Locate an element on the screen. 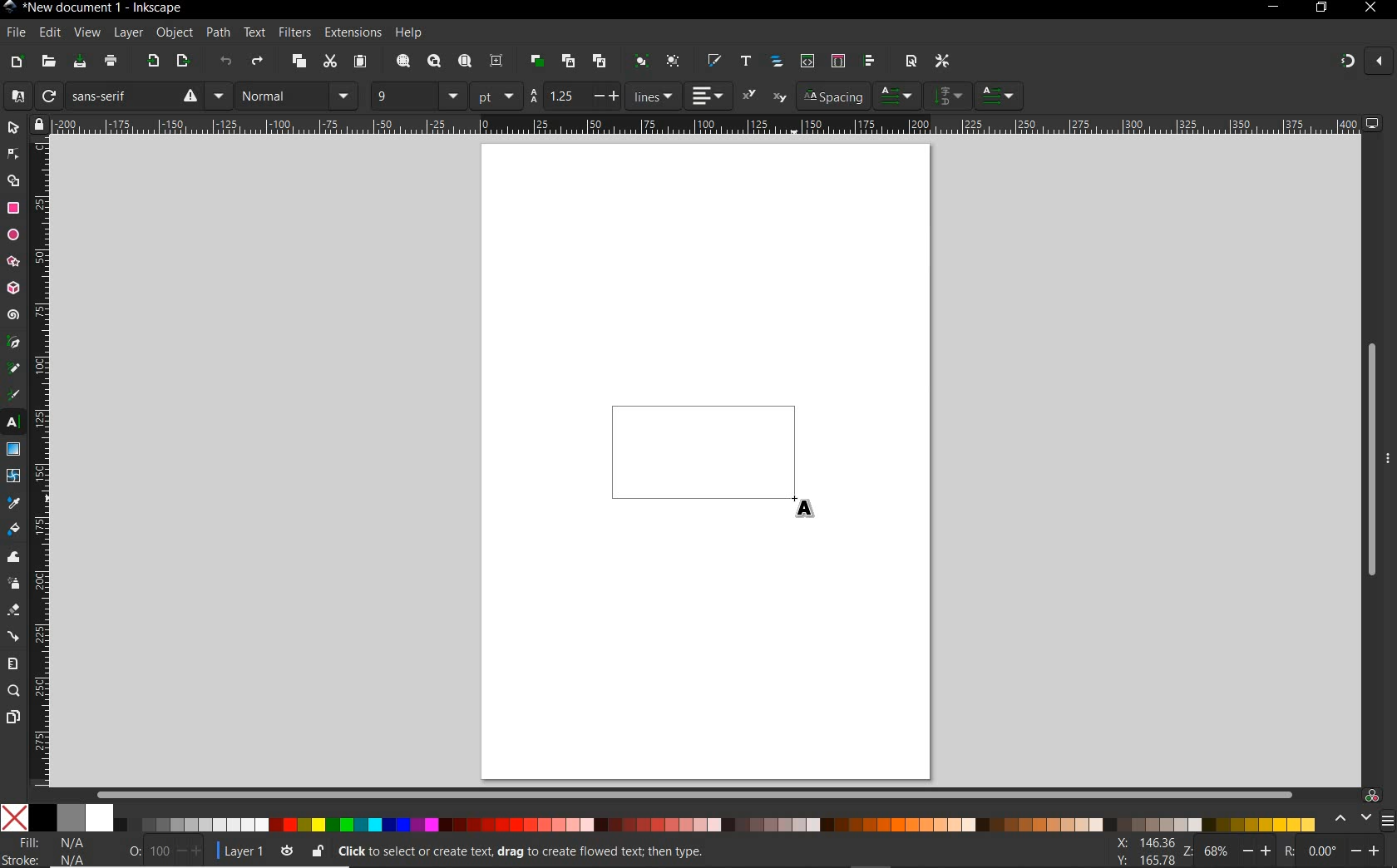 This screenshot has height=868, width=1397. view is located at coordinates (86, 33).